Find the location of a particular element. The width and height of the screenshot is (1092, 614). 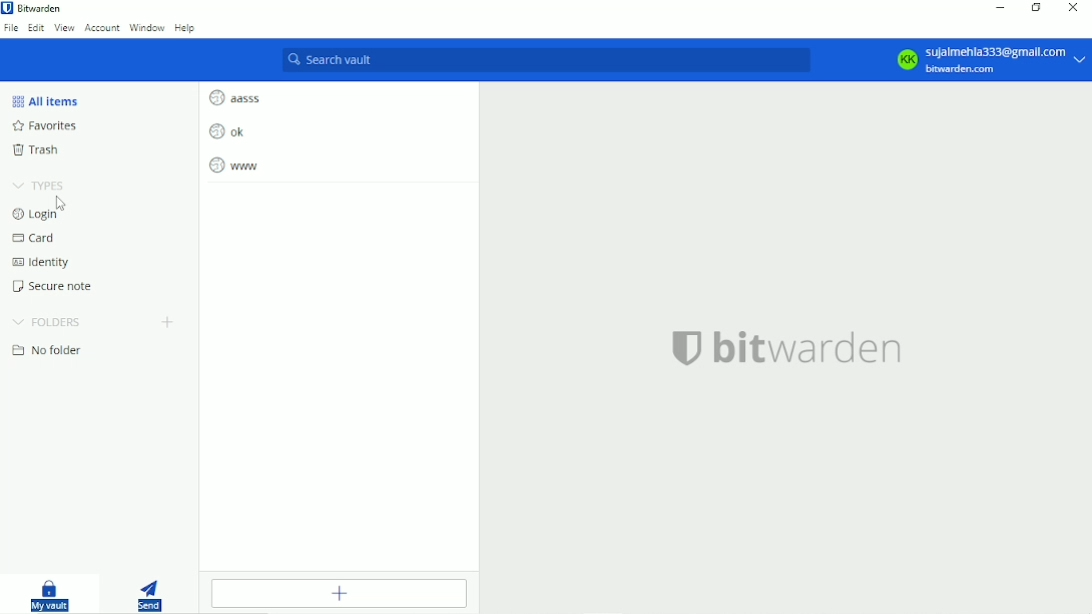

bitwarden is located at coordinates (786, 346).